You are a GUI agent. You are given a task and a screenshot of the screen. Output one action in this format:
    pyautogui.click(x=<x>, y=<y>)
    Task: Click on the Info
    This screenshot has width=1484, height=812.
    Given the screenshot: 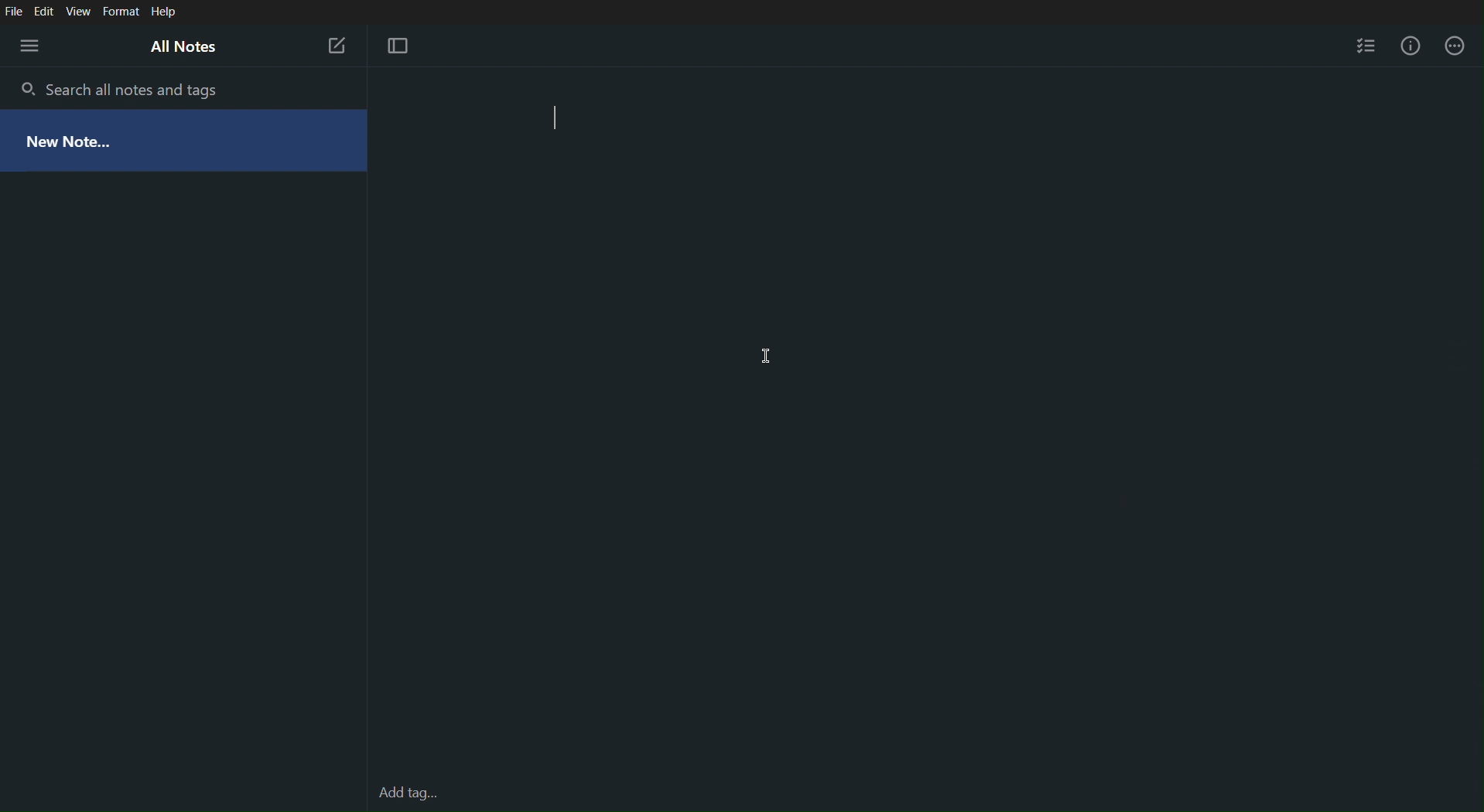 What is the action you would take?
    pyautogui.click(x=1407, y=46)
    